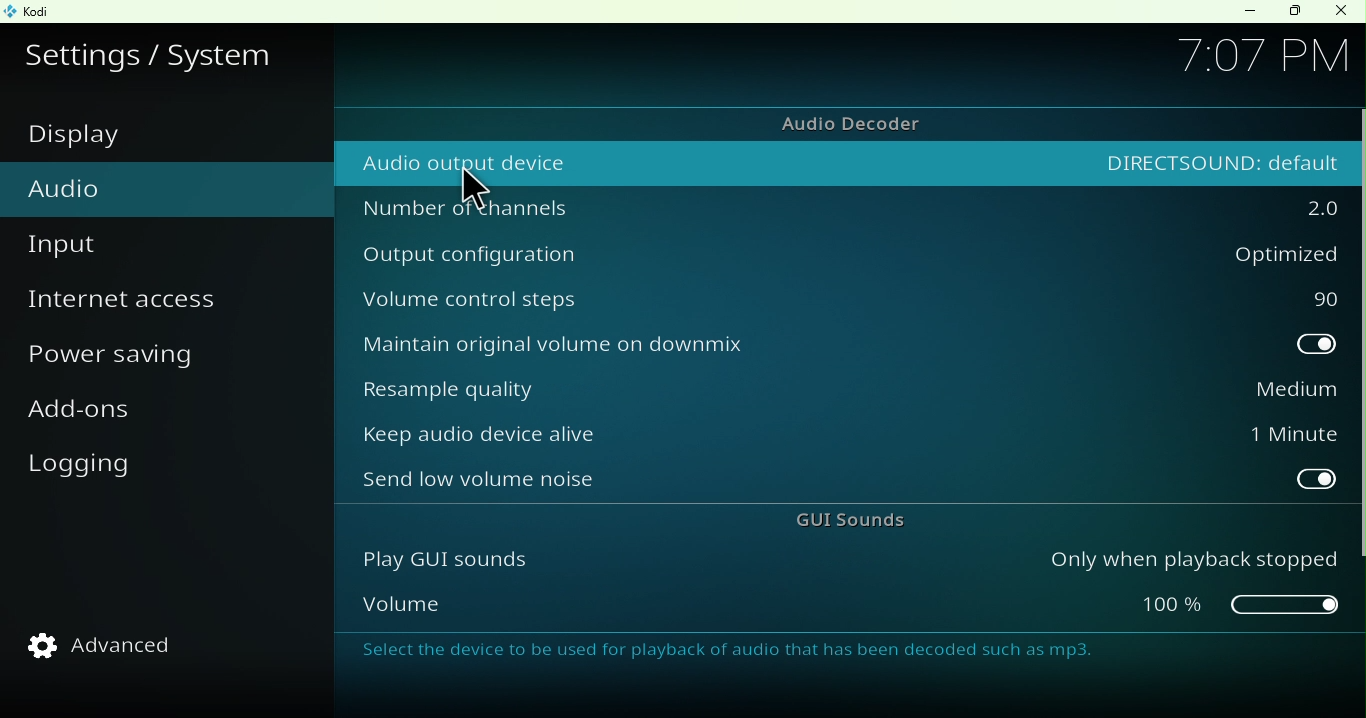  Describe the element at coordinates (714, 254) in the screenshot. I see `Output configuration` at that location.